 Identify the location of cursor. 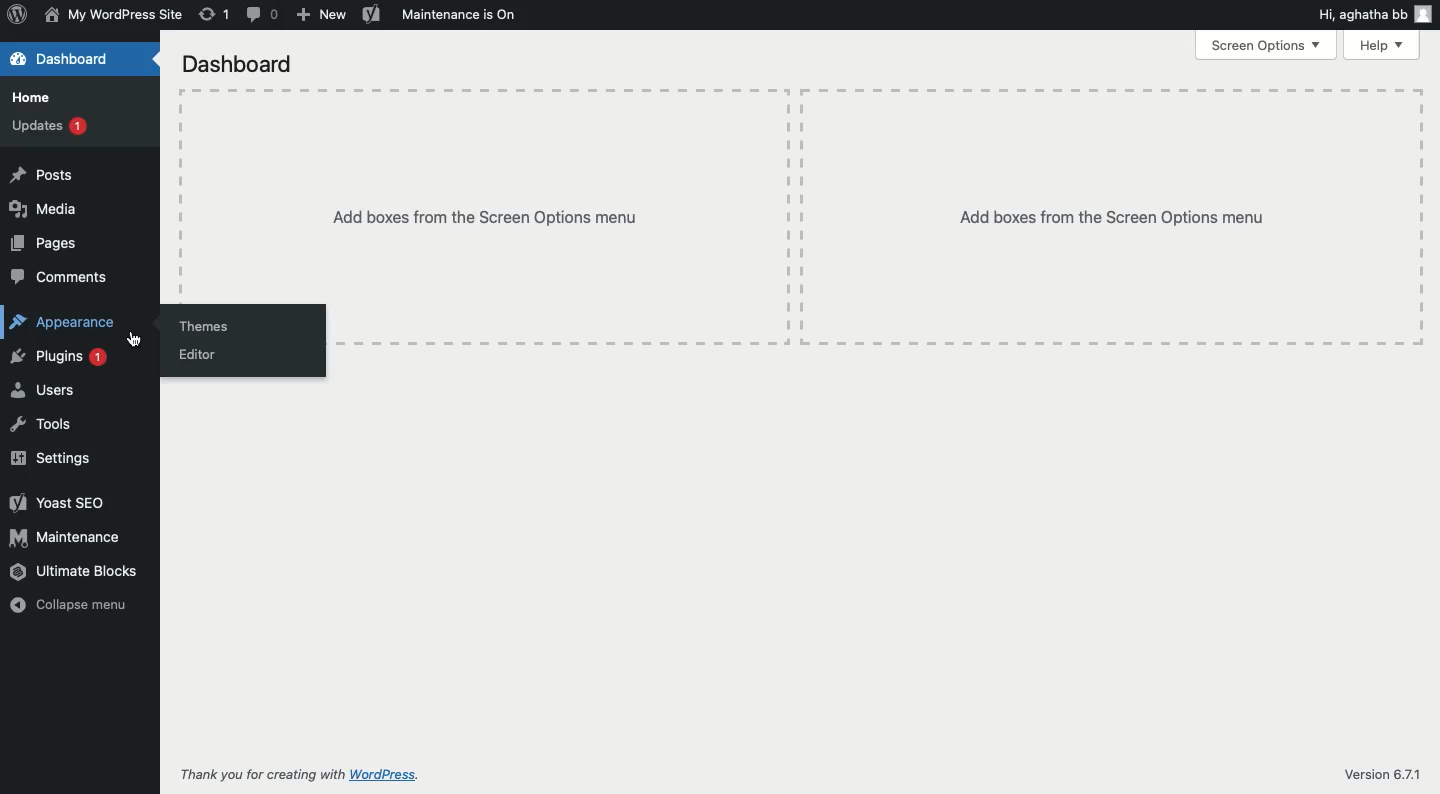
(137, 342).